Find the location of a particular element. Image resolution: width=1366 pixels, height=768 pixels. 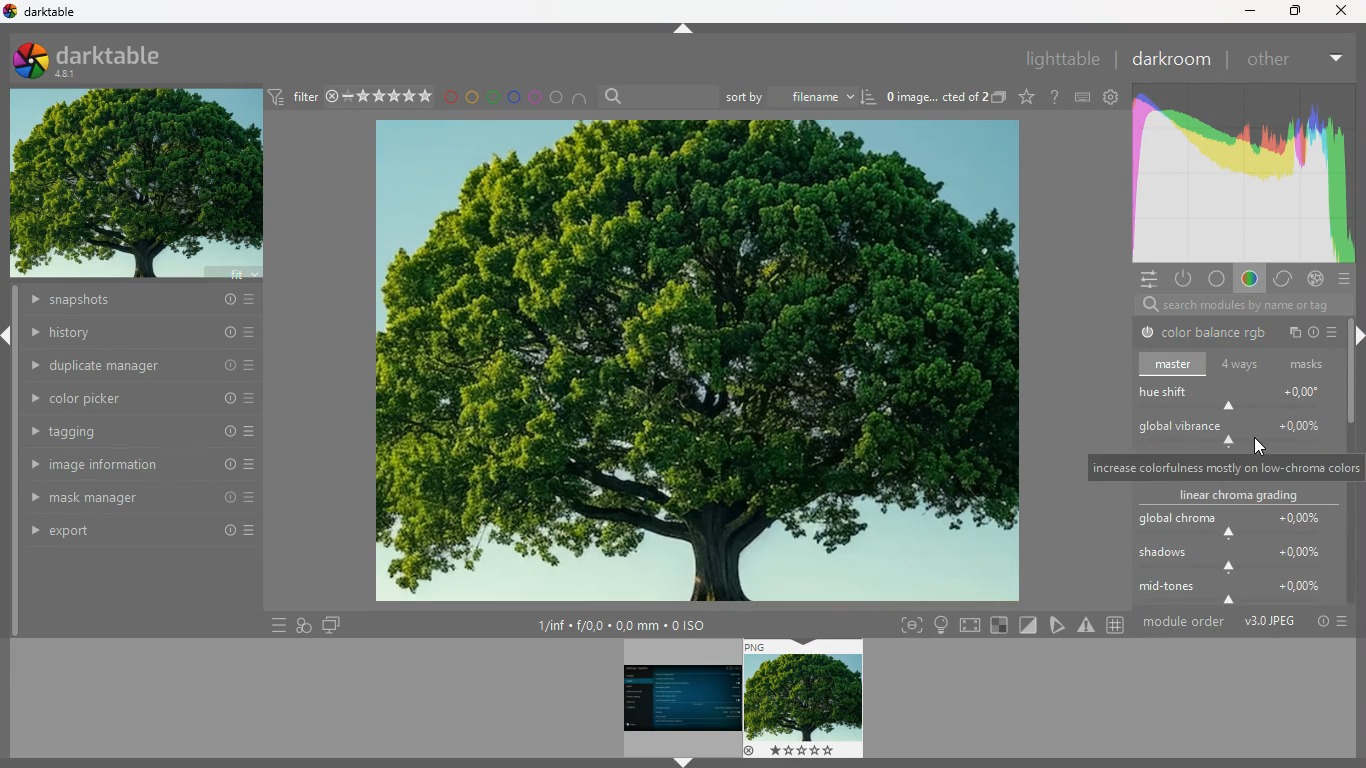

message is located at coordinates (1223, 468).